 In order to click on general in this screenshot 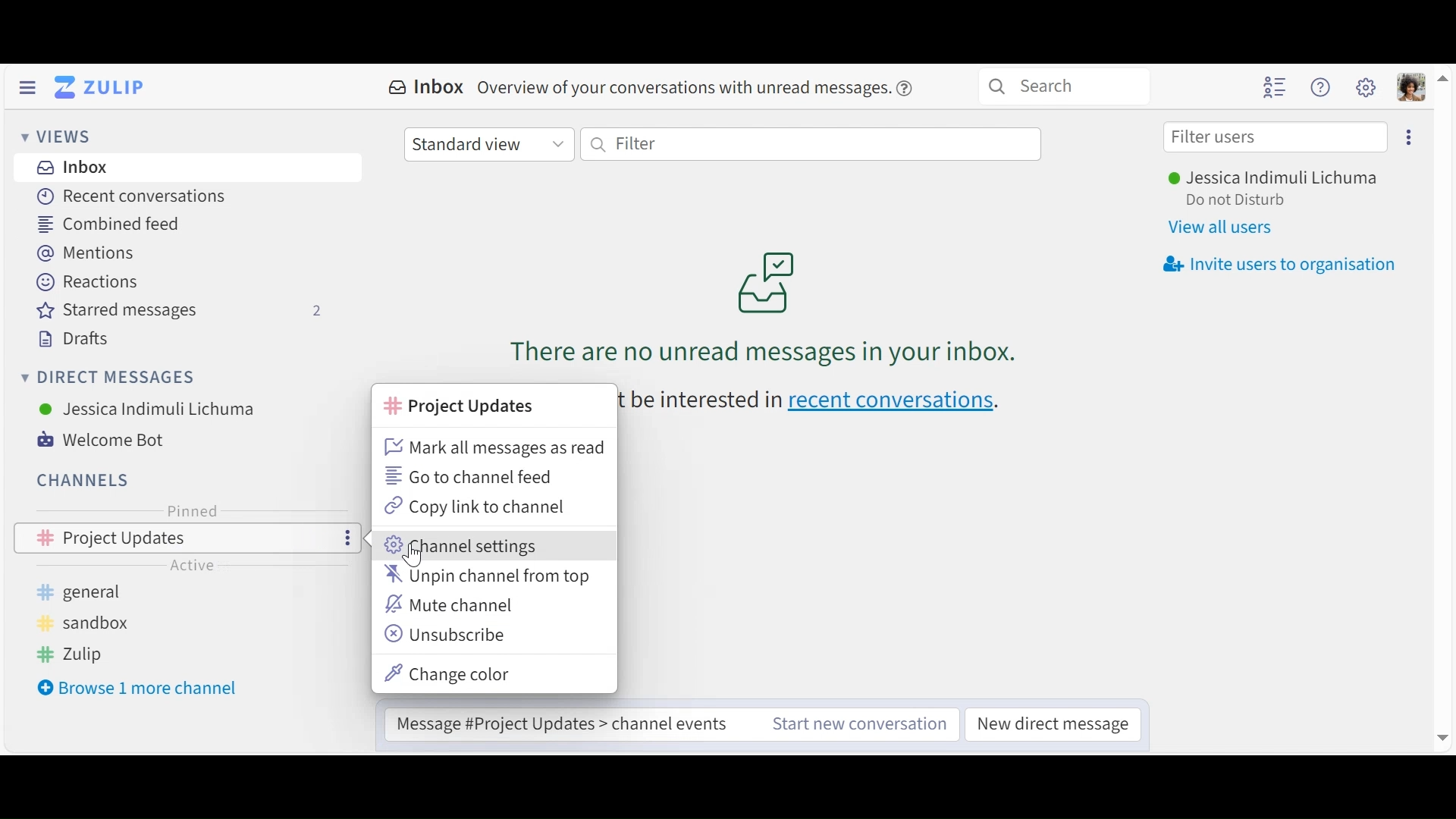, I will do `click(90, 592)`.